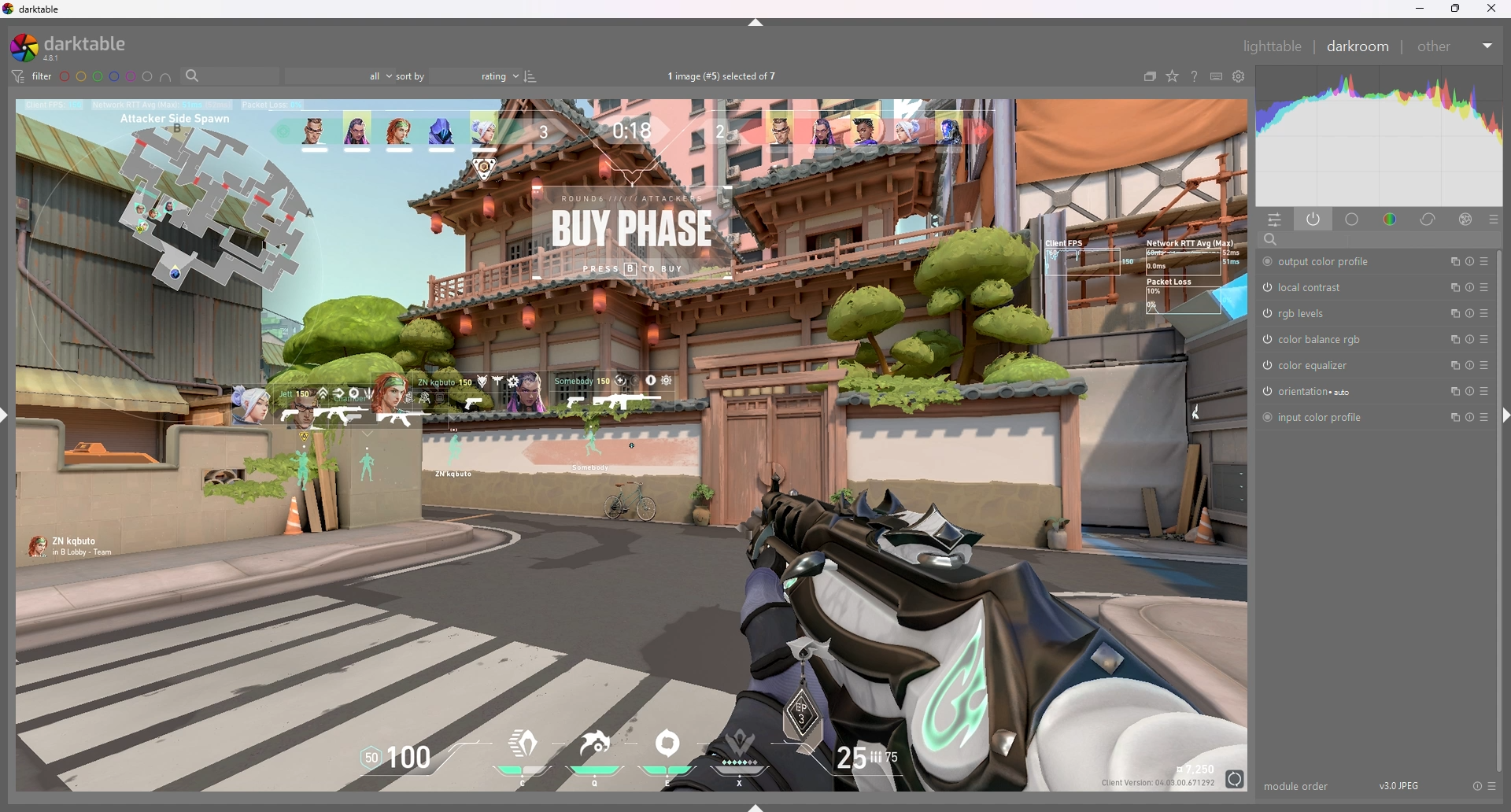  I want to click on multiple instances action, so click(1453, 391).